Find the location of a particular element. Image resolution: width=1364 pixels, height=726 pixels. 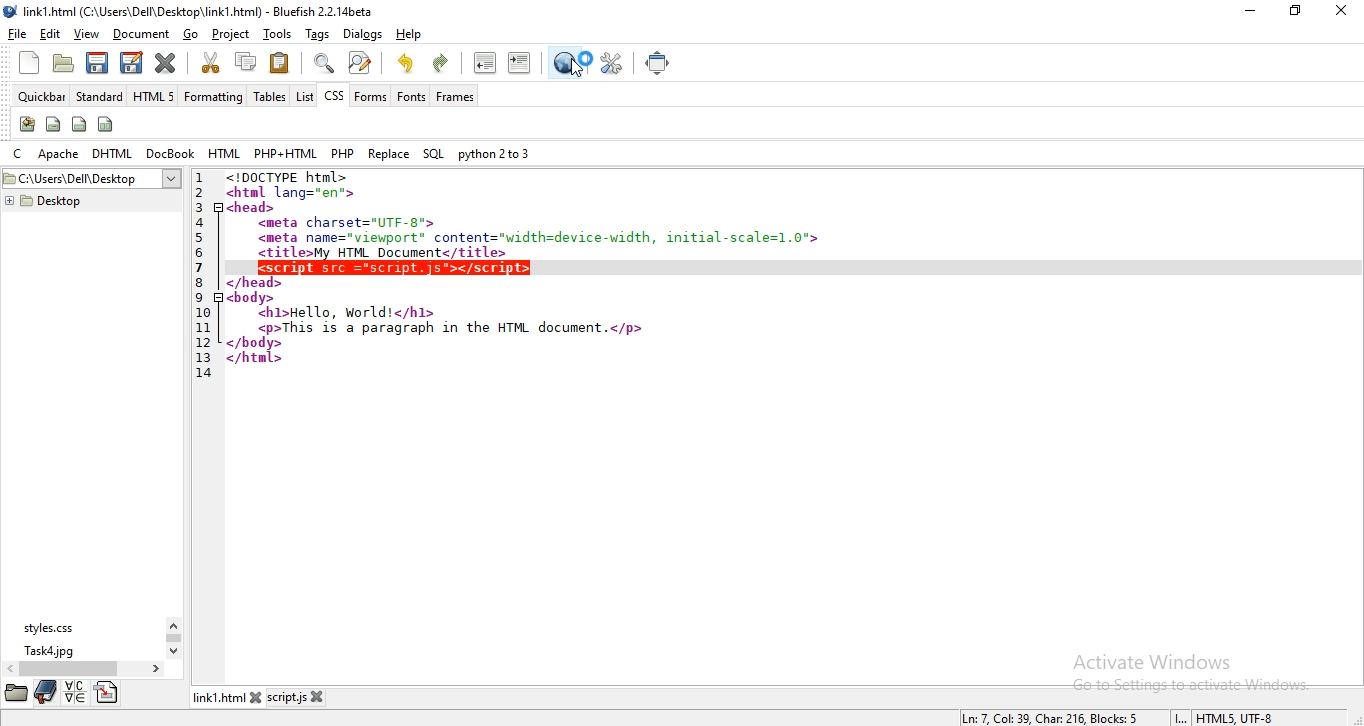

paste is located at coordinates (281, 63).